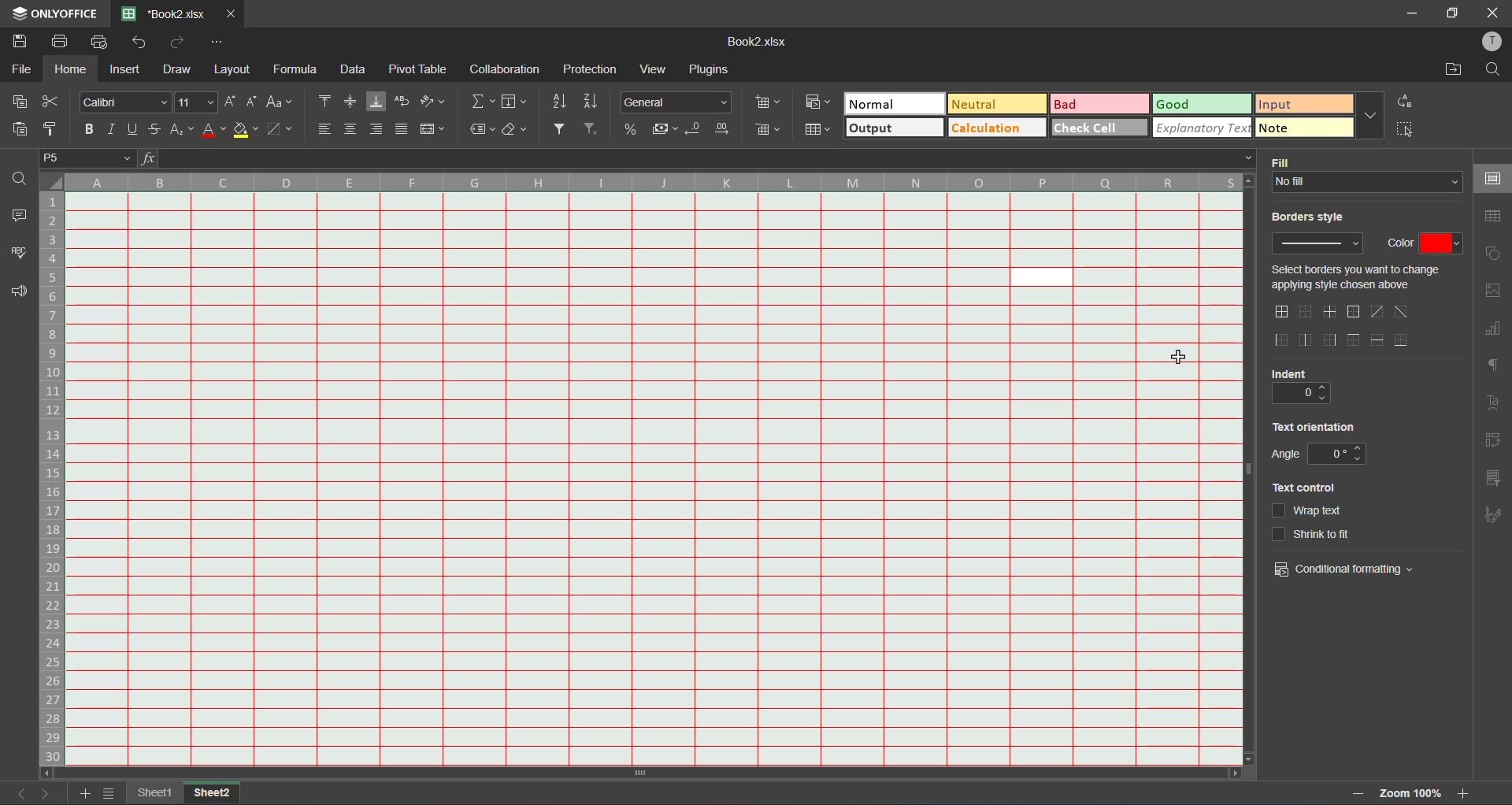 This screenshot has width=1512, height=805. What do you see at coordinates (56, 480) in the screenshot?
I see `row numbers` at bounding box center [56, 480].